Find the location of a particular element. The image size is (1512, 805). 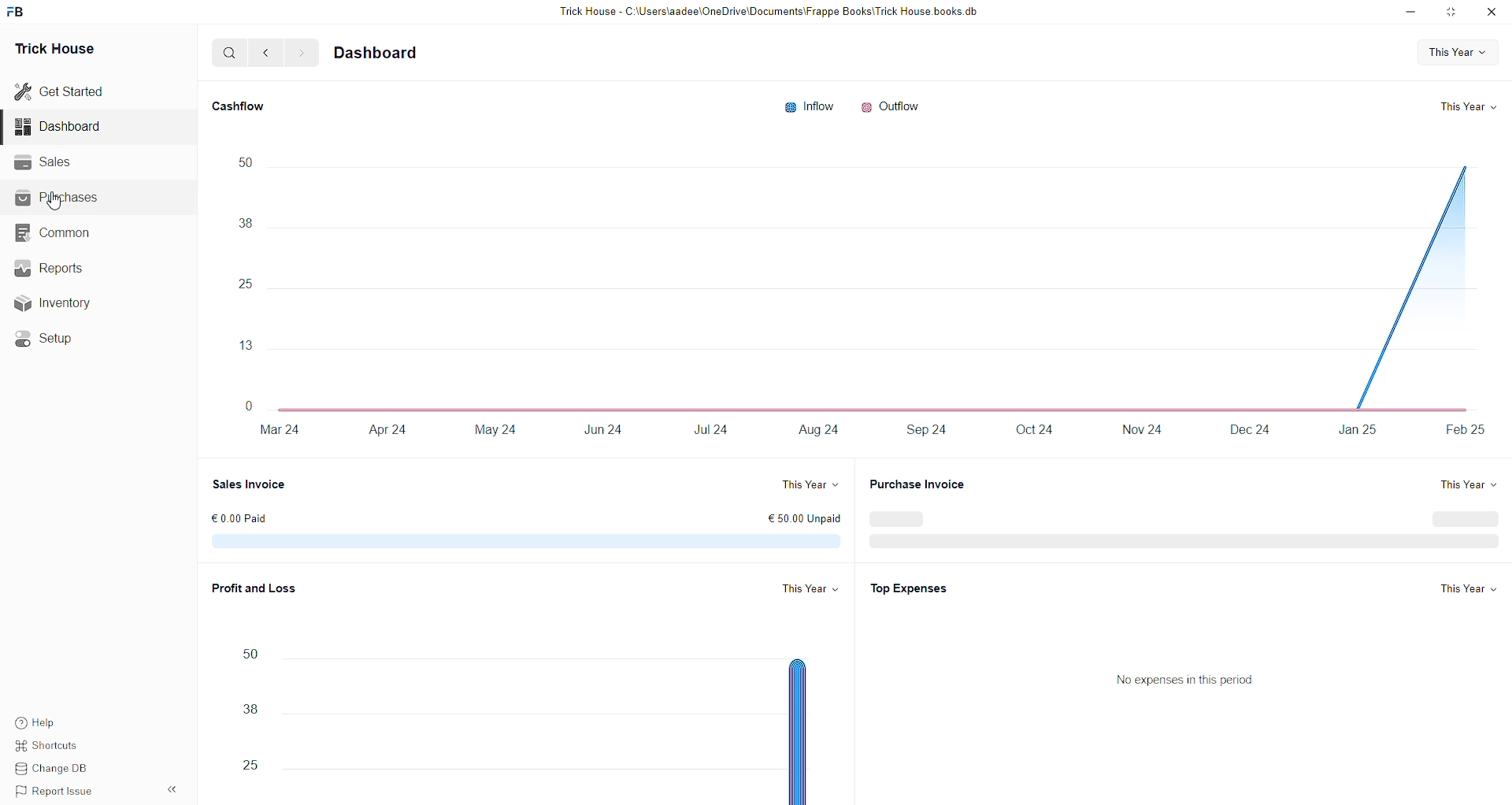

Dashboard is located at coordinates (379, 53).